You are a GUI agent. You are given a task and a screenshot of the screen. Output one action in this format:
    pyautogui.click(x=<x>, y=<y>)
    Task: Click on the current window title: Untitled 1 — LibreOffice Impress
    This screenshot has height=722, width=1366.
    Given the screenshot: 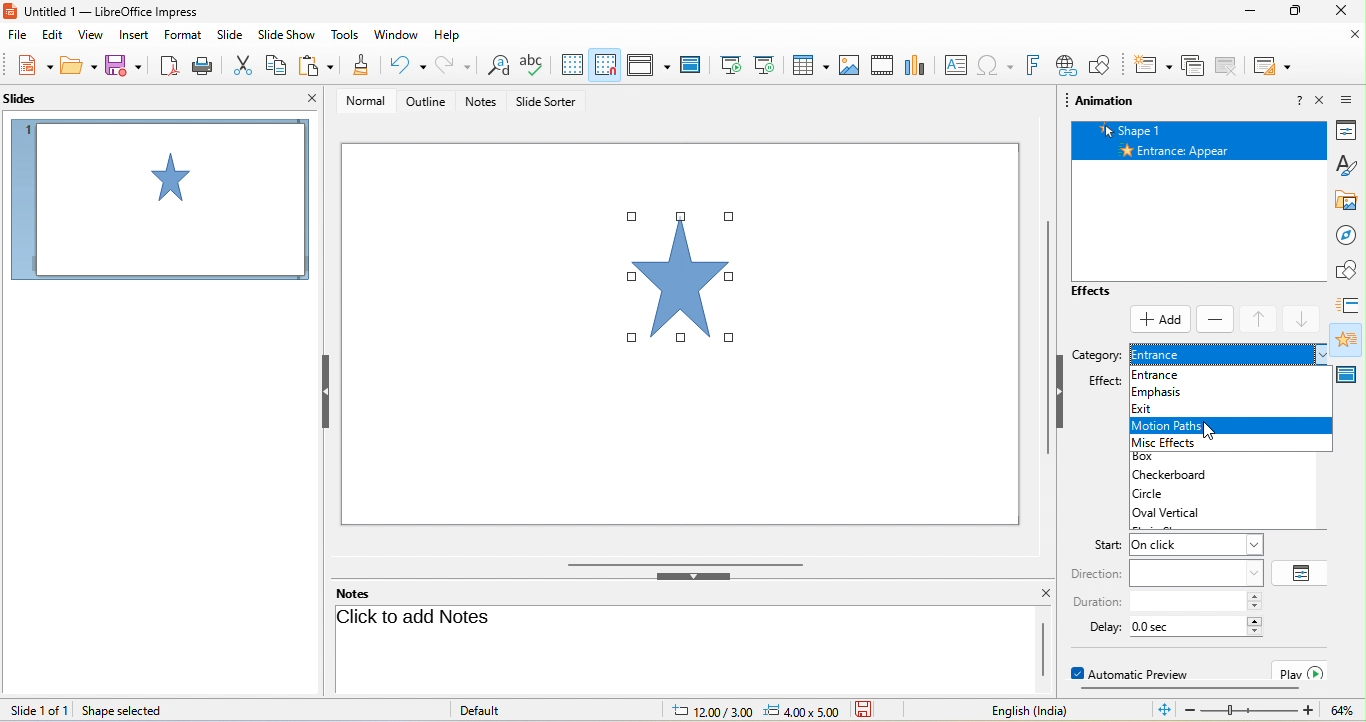 What is the action you would take?
    pyautogui.click(x=102, y=11)
    